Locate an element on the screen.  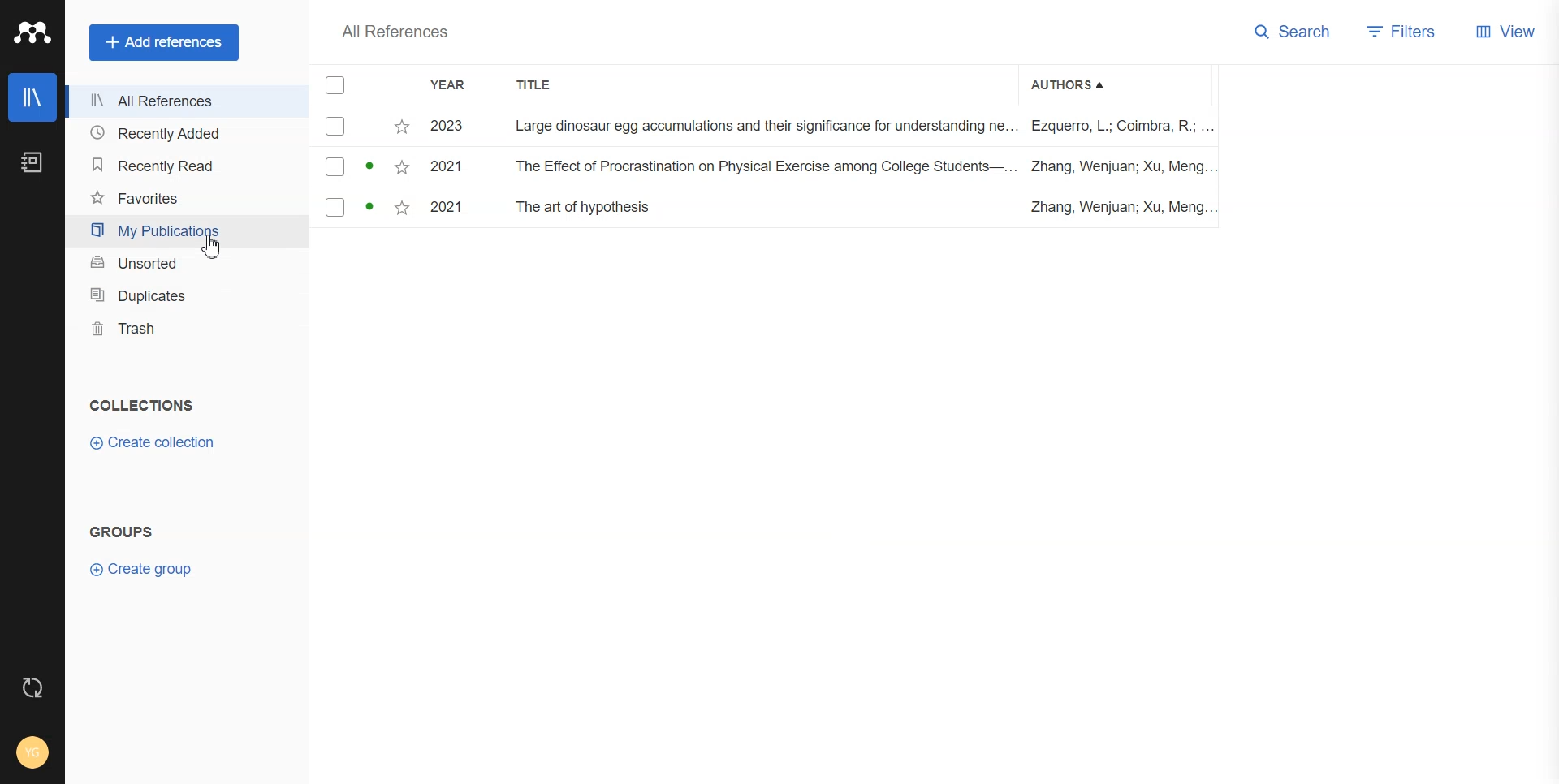
My Publication is located at coordinates (180, 230).